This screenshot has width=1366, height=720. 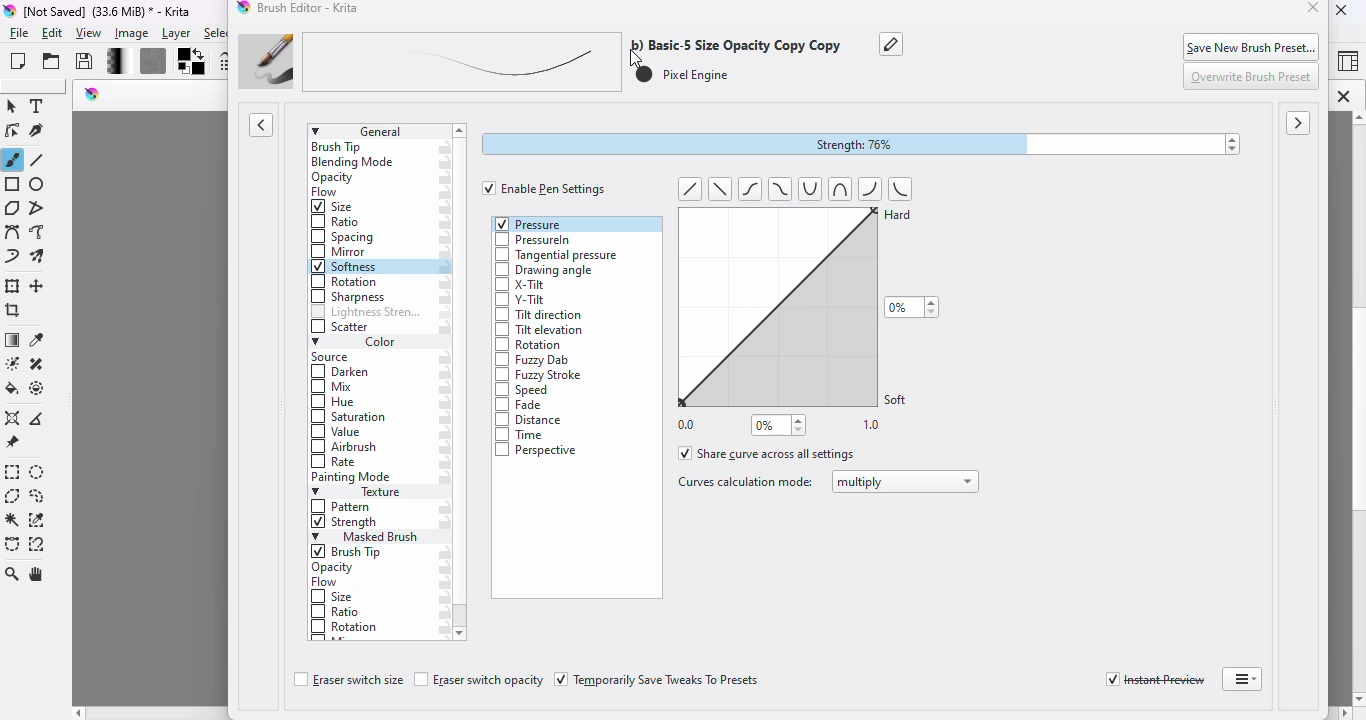 What do you see at coordinates (19, 34) in the screenshot?
I see `file` at bounding box center [19, 34].